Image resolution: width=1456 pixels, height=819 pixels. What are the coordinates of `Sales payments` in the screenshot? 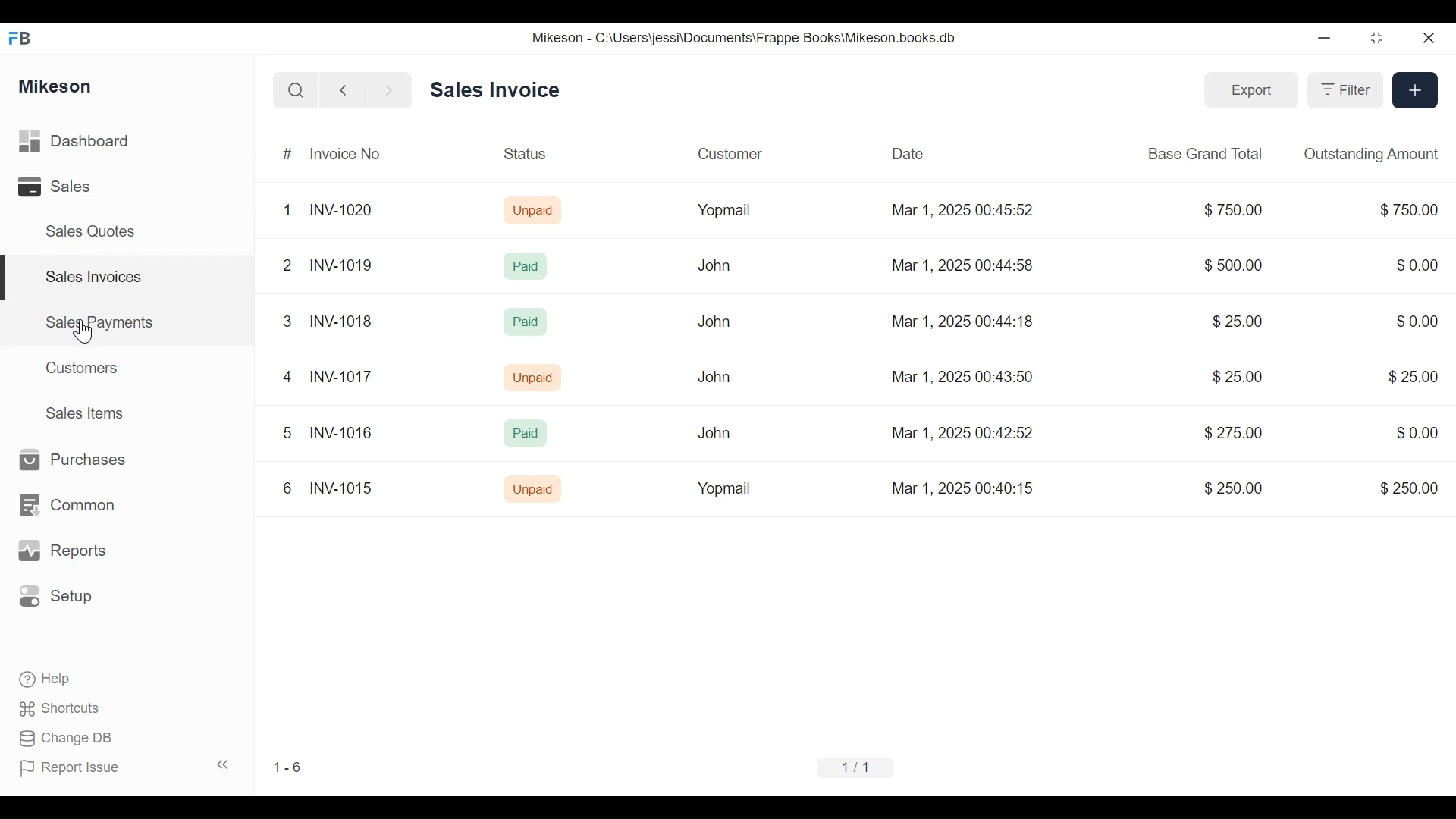 It's located at (102, 322).